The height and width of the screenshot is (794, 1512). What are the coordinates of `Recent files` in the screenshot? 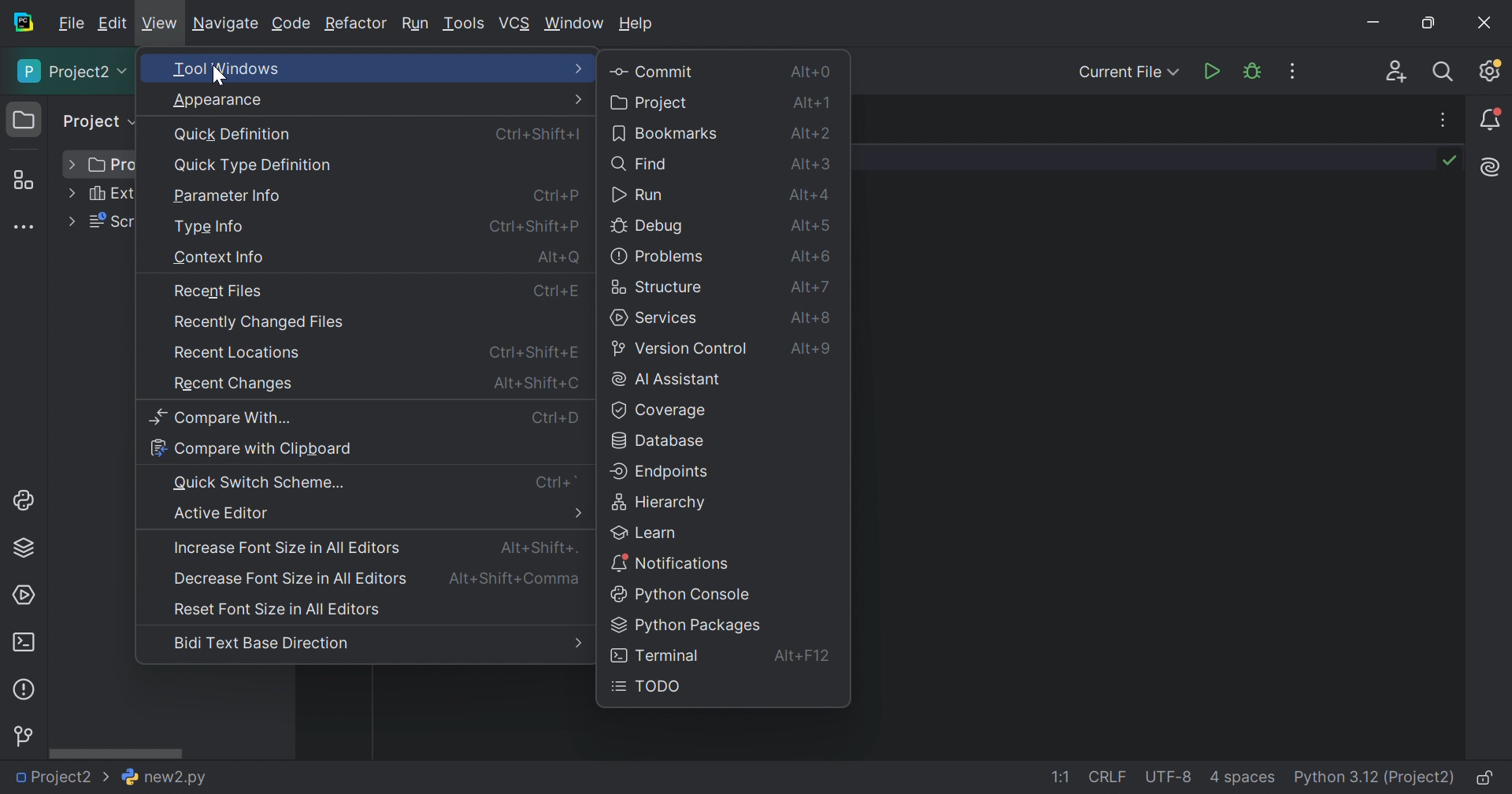 It's located at (222, 290).